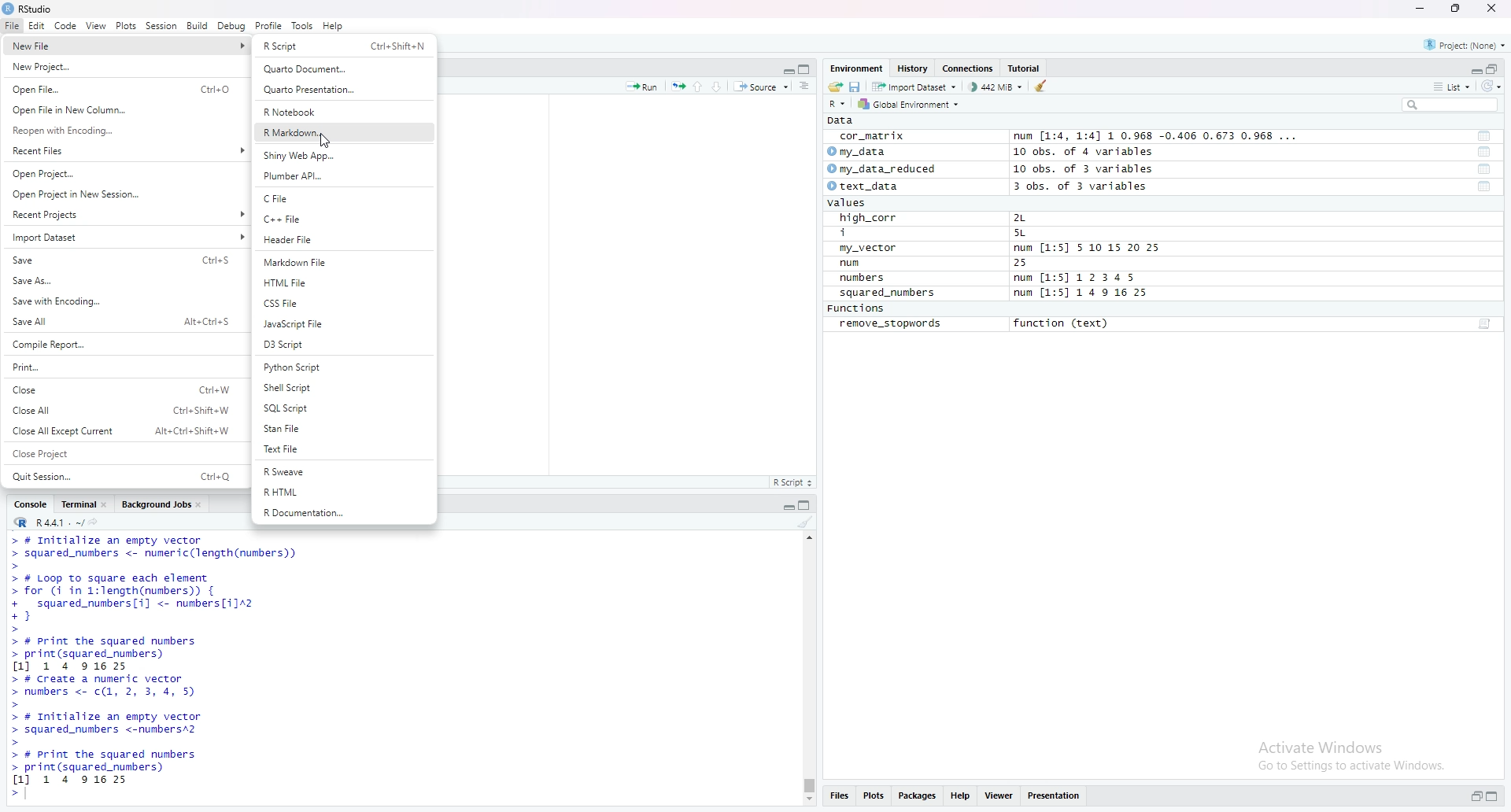 The image size is (1511, 812). Describe the element at coordinates (857, 203) in the screenshot. I see `values` at that location.